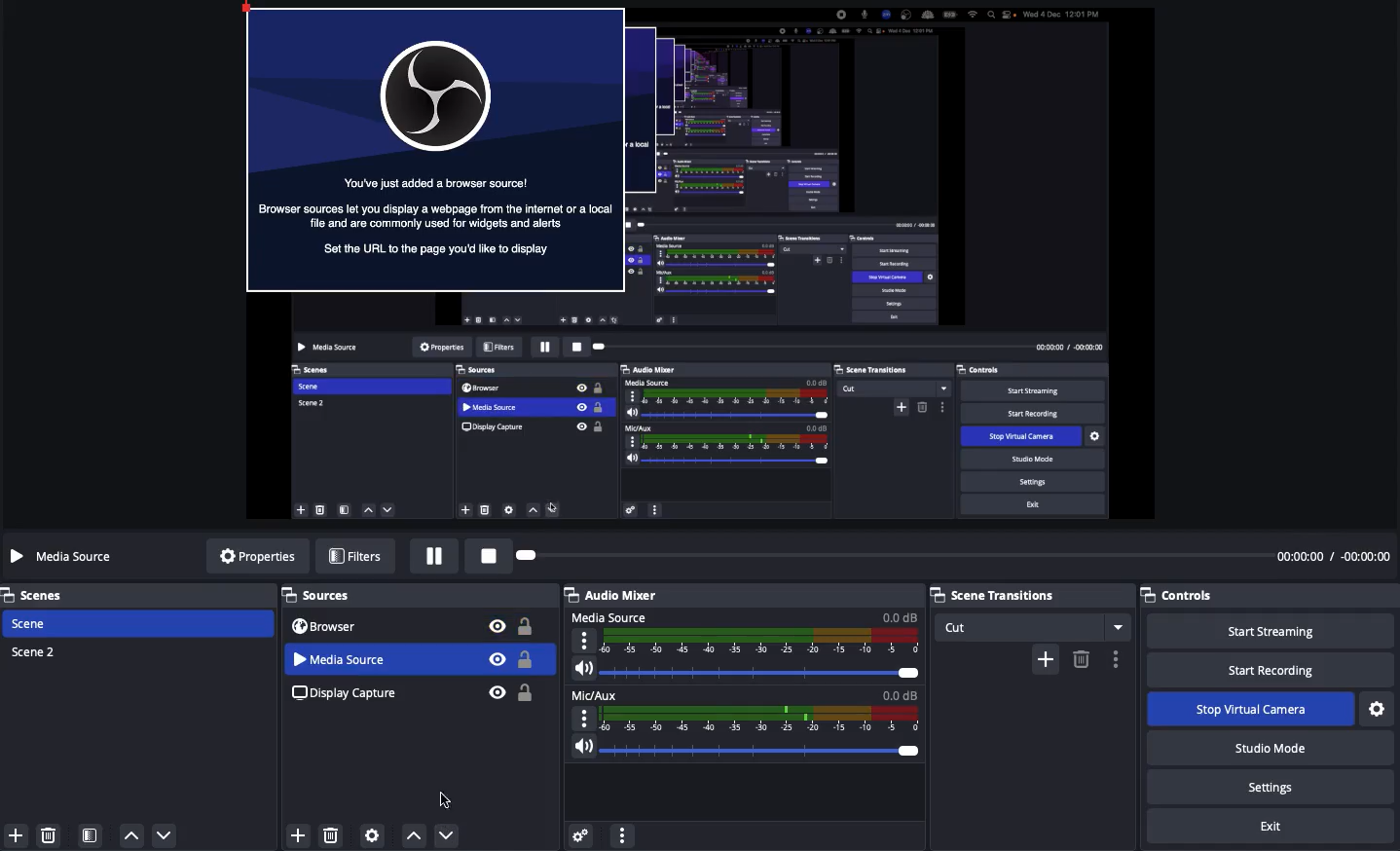  Describe the element at coordinates (744, 632) in the screenshot. I see `Media source` at that location.